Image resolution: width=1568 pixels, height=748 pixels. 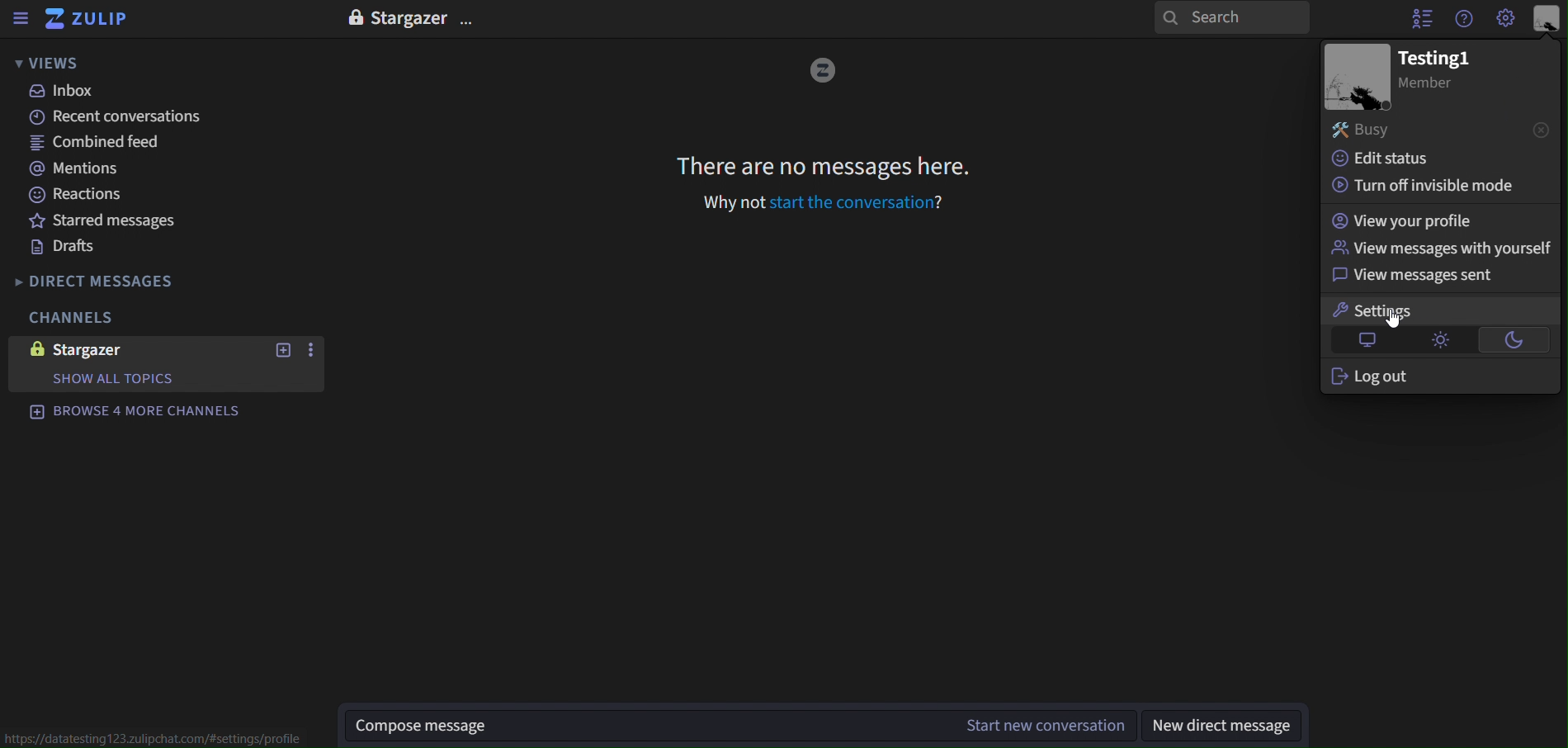 I want to click on zulip, so click(x=96, y=22).